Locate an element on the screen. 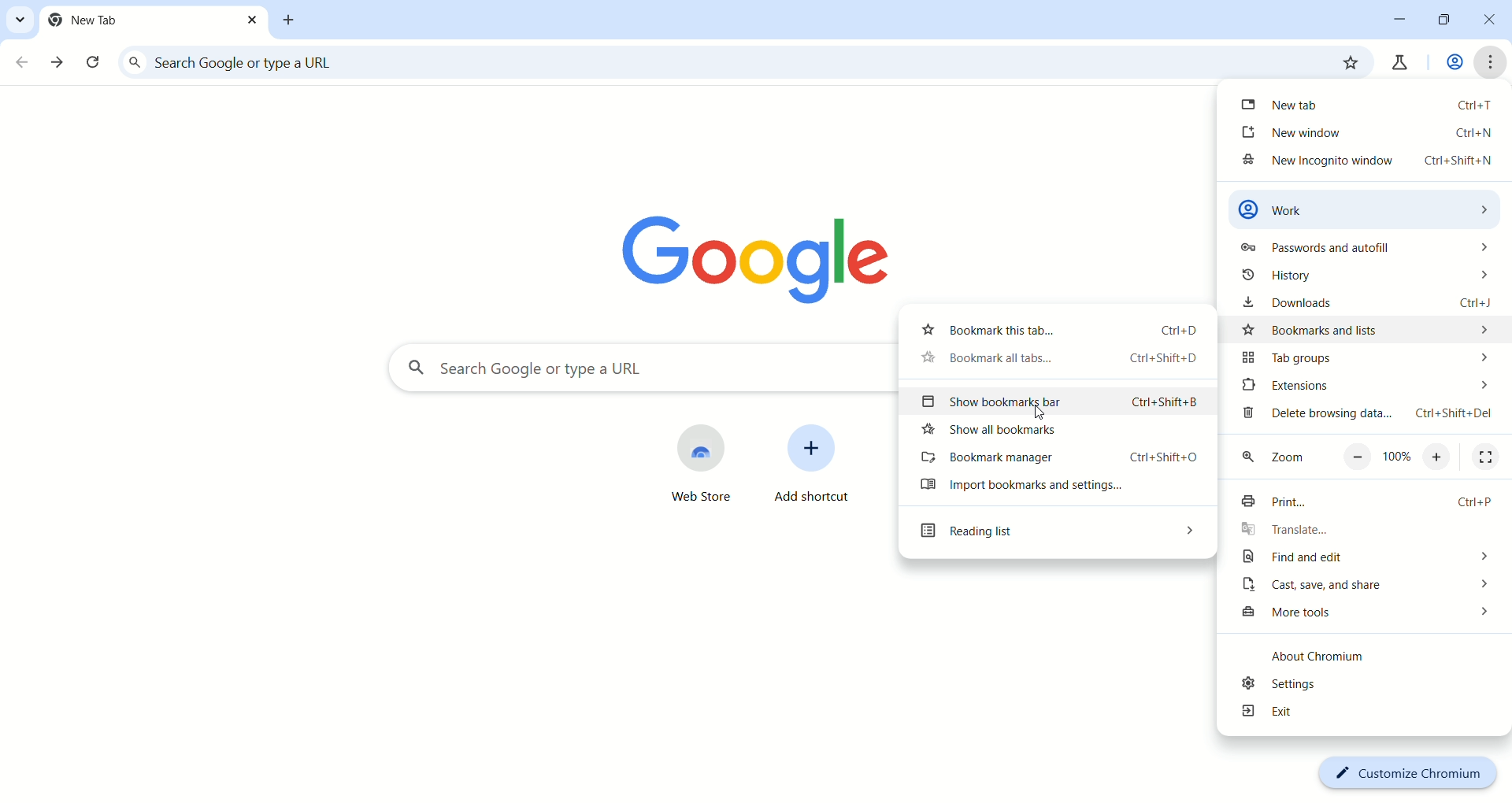 The height and width of the screenshot is (803, 1512). google is located at coordinates (766, 253).